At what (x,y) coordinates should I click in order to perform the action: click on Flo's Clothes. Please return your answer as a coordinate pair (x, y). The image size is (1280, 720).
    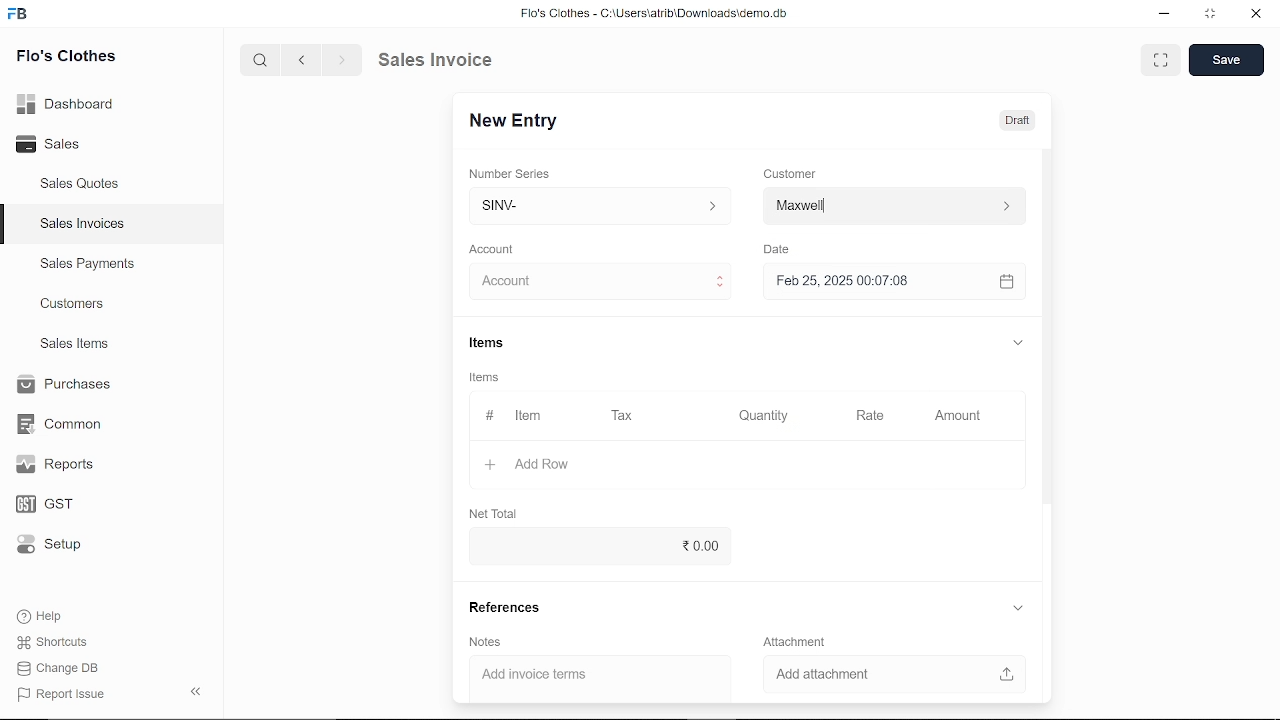
    Looking at the image, I should click on (64, 59).